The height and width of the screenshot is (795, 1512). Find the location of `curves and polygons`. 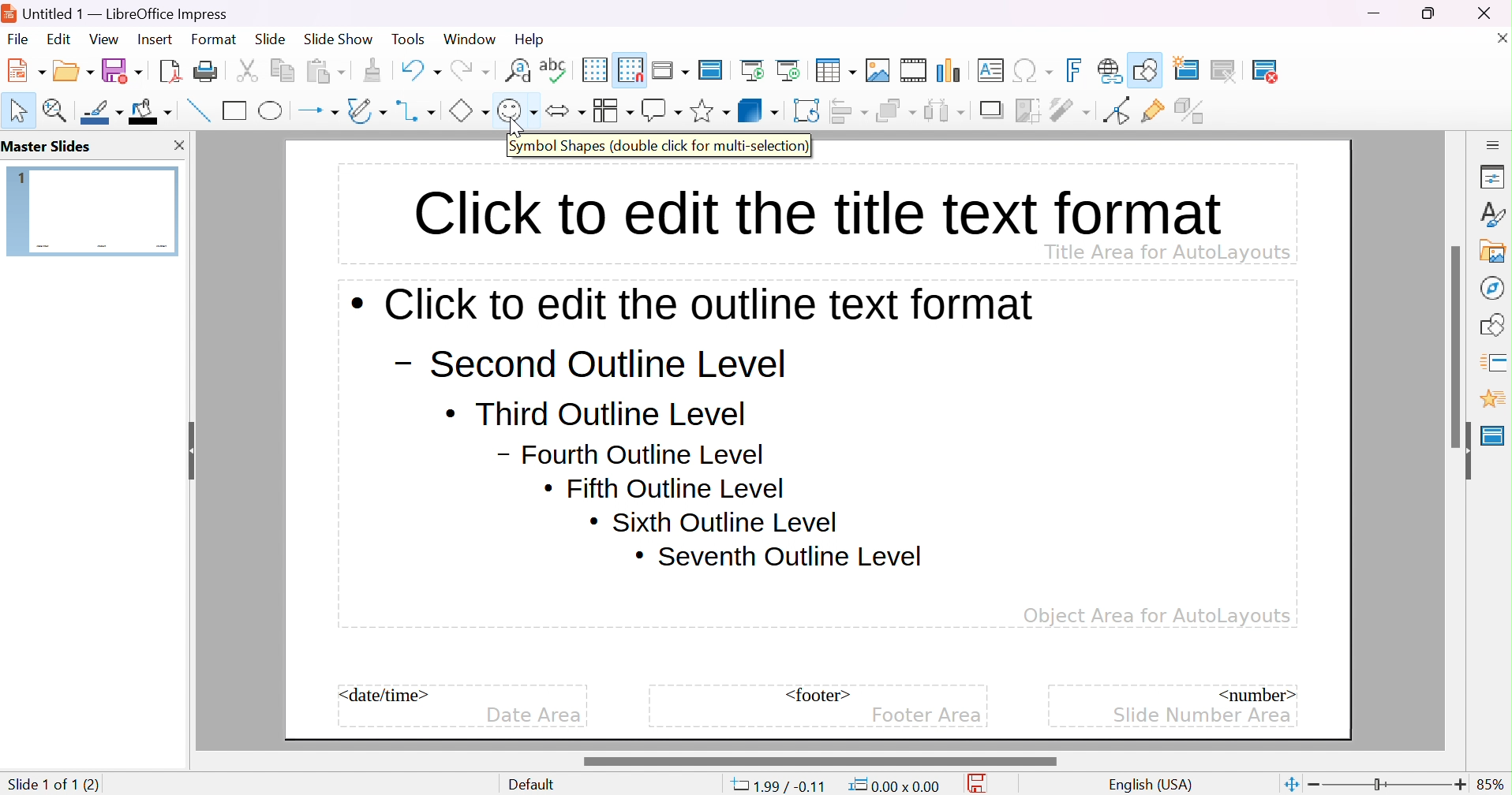

curves and polygons is located at coordinates (366, 110).